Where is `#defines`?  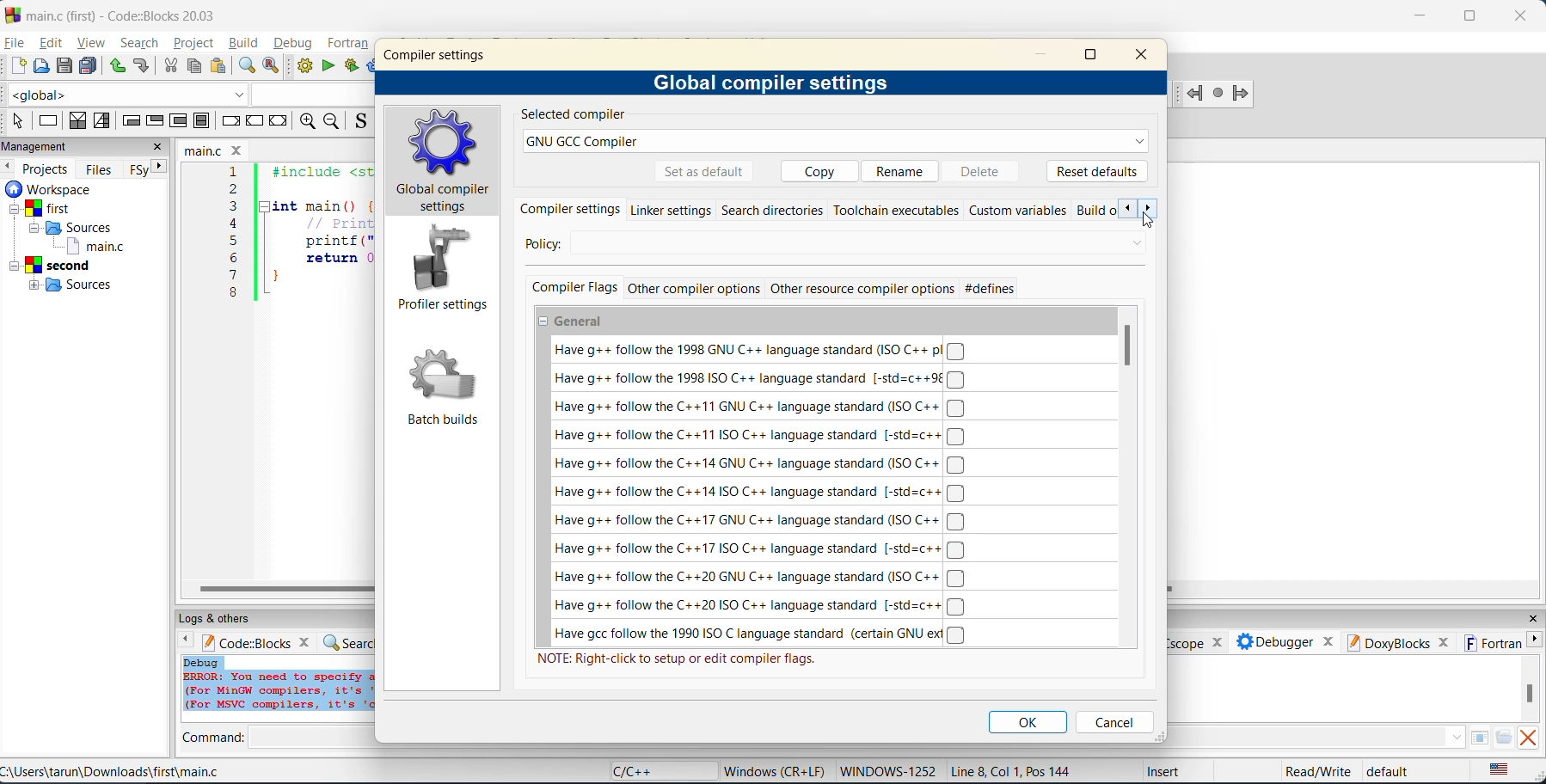
#defines is located at coordinates (991, 289).